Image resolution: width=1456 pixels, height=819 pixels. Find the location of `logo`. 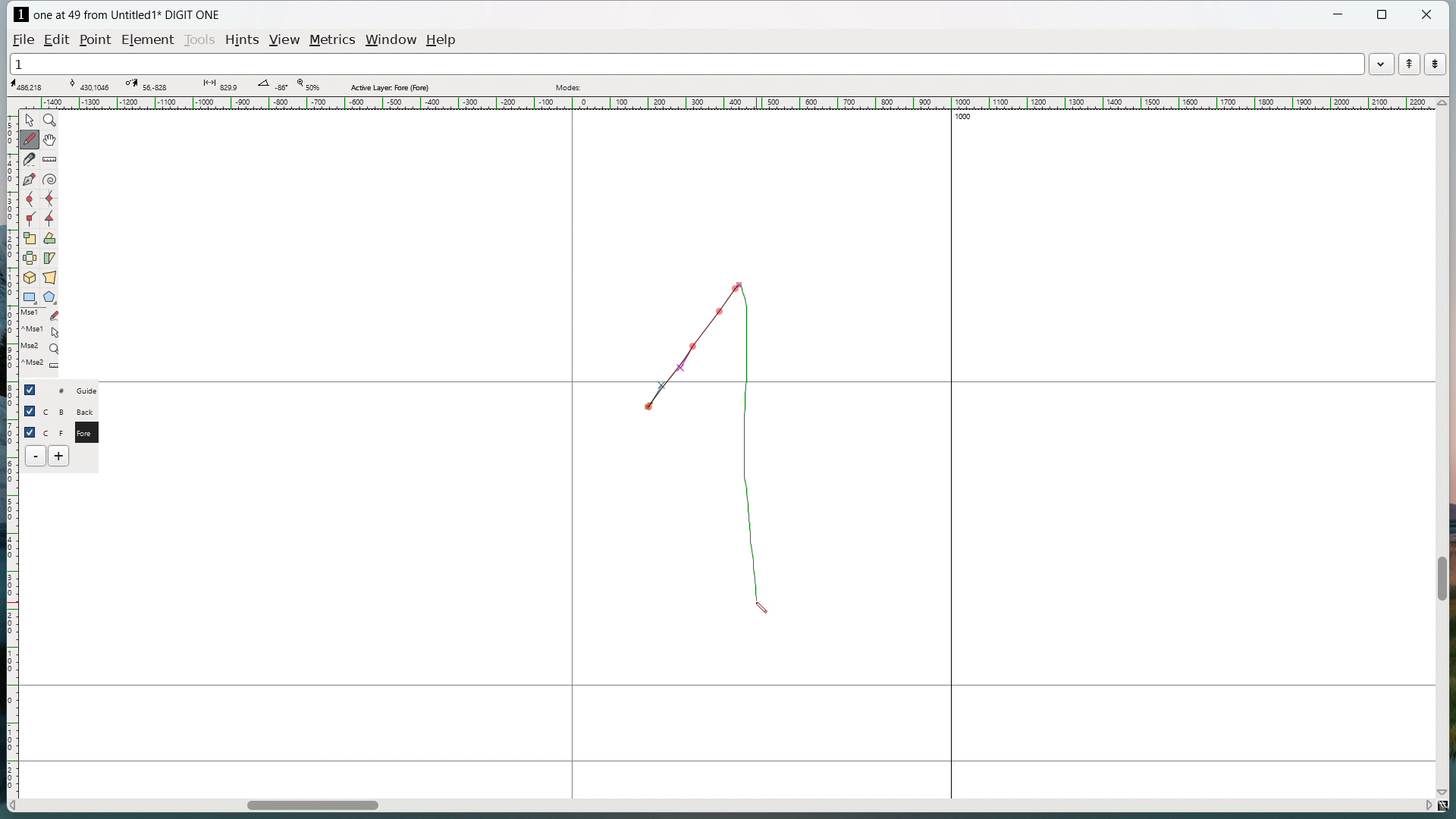

logo is located at coordinates (20, 14).